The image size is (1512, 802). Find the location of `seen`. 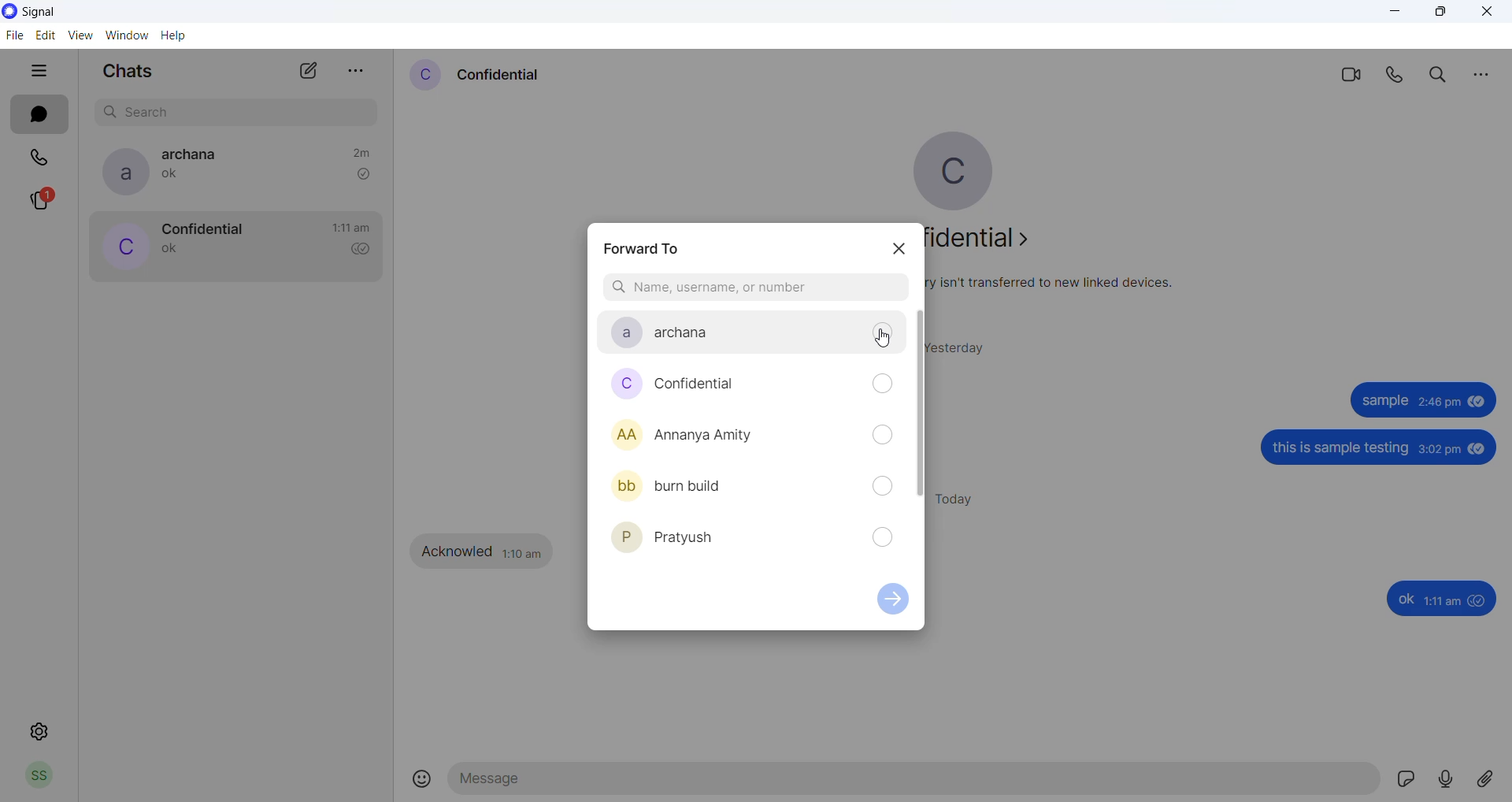

seen is located at coordinates (1479, 449).